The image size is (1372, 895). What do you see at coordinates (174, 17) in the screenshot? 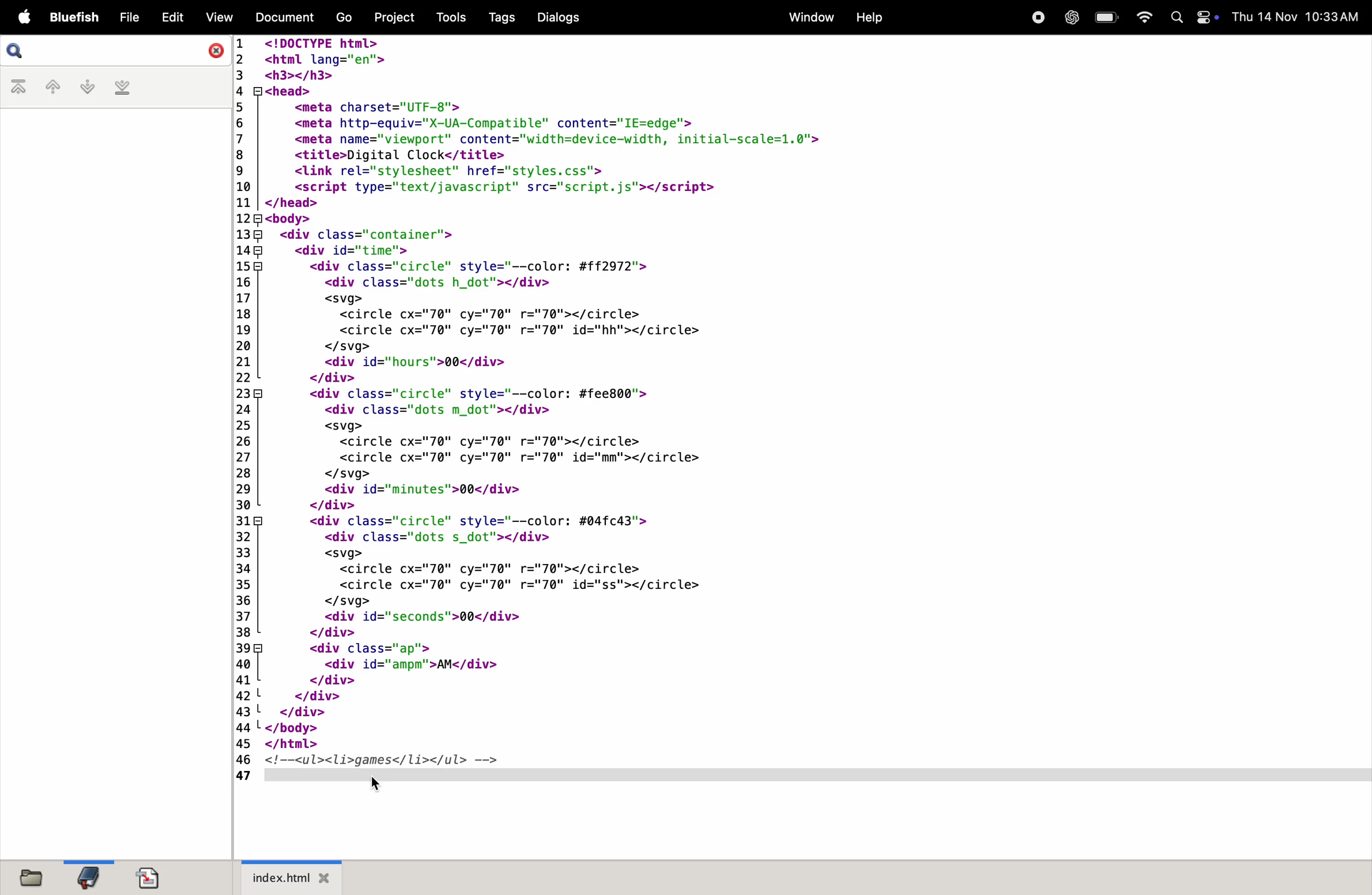
I see `Edit` at bounding box center [174, 17].